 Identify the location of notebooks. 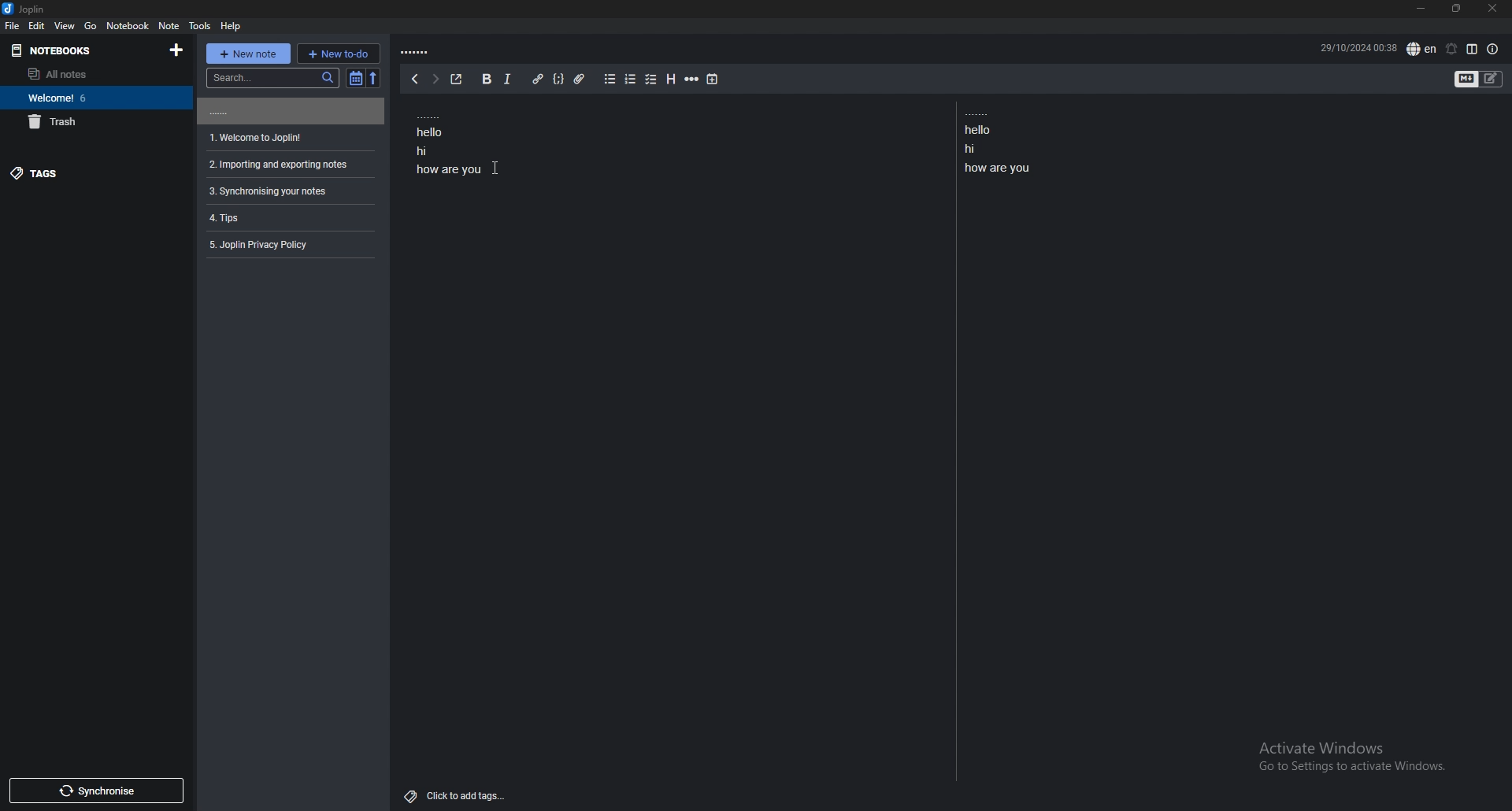
(83, 50).